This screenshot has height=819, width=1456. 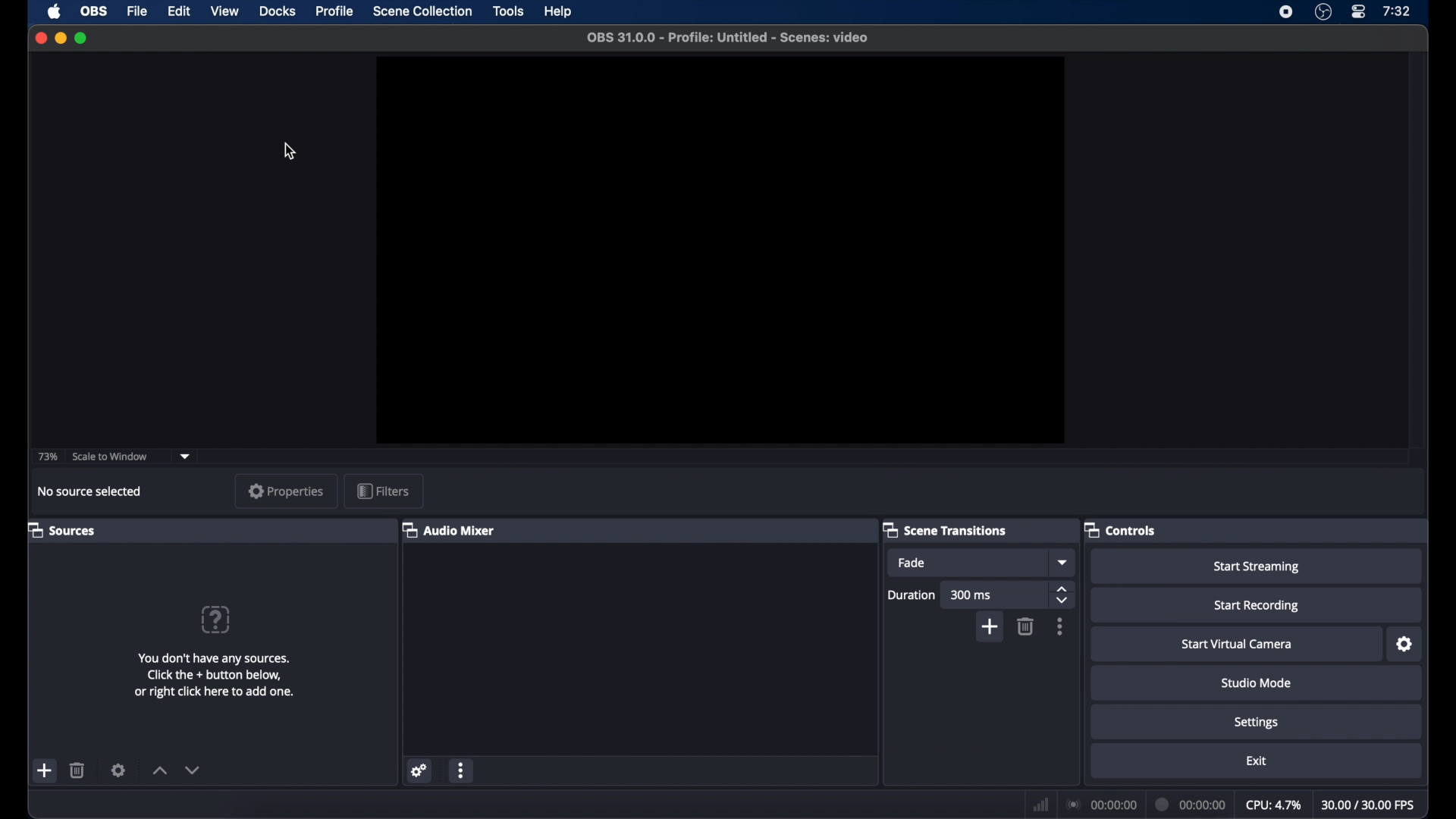 I want to click on network, so click(x=1040, y=803).